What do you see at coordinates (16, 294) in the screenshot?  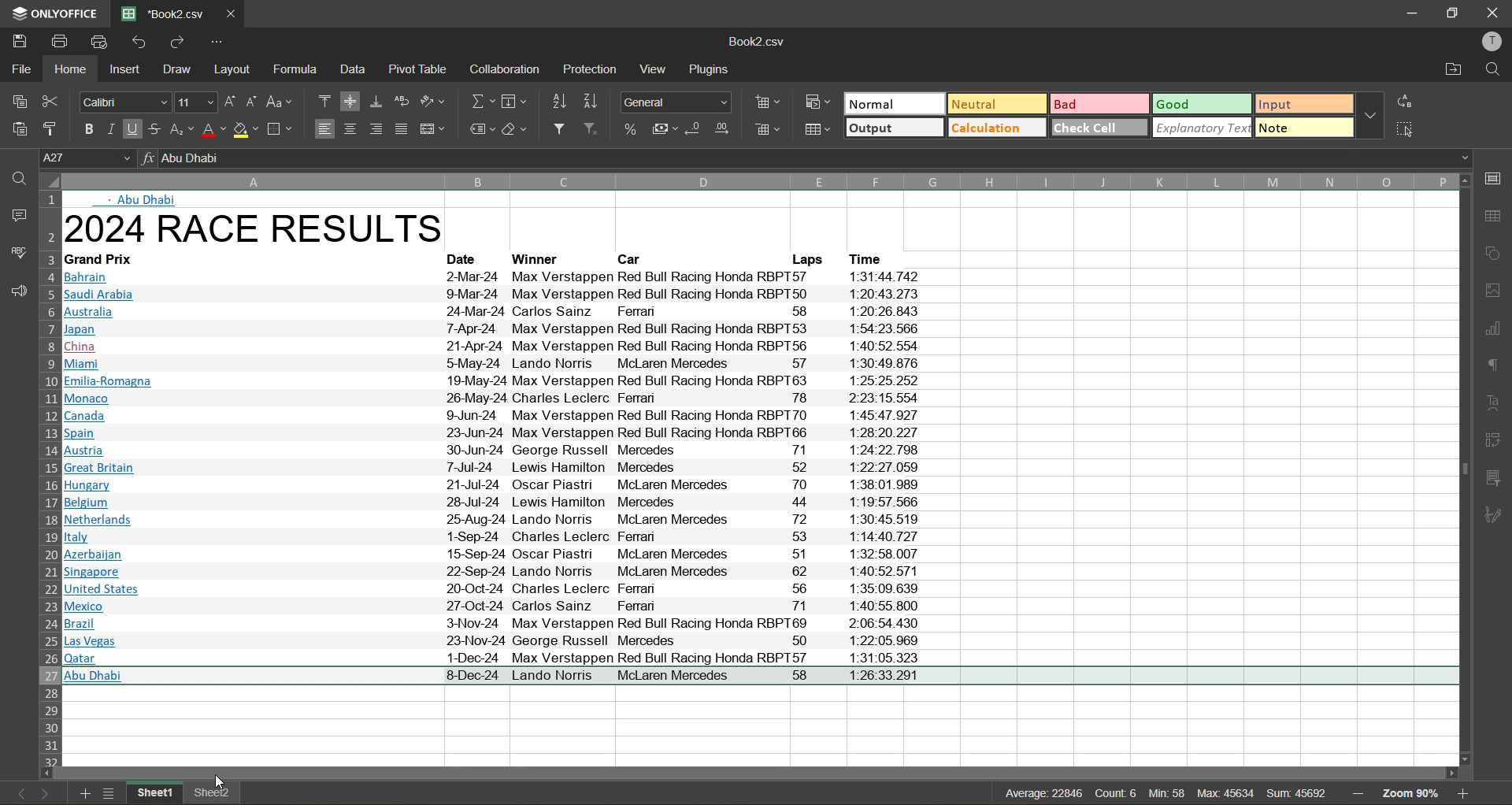 I see `feedback` at bounding box center [16, 294].